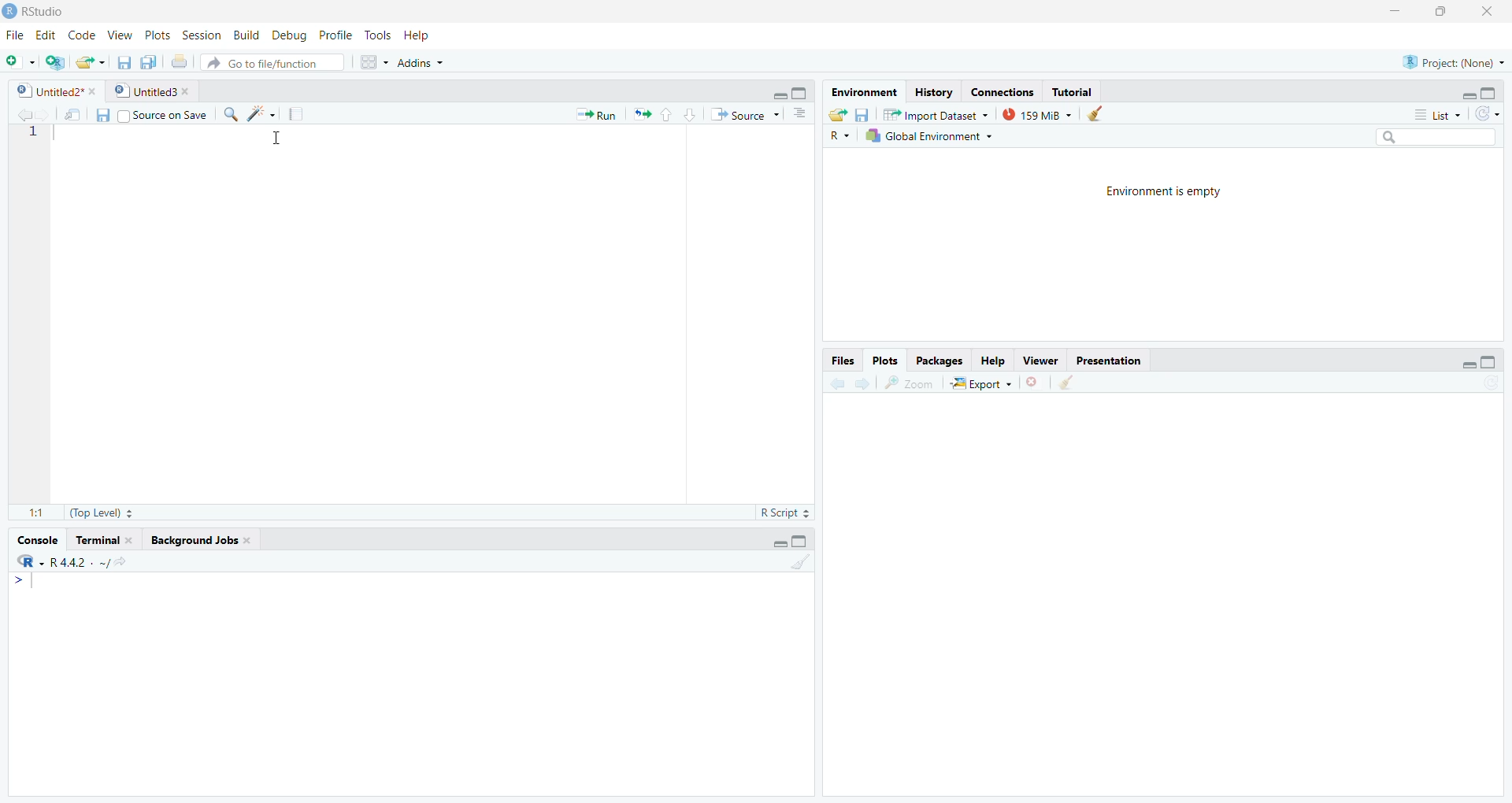 The width and height of the screenshot is (1512, 803). What do you see at coordinates (1488, 364) in the screenshot?
I see `Maximize` at bounding box center [1488, 364].